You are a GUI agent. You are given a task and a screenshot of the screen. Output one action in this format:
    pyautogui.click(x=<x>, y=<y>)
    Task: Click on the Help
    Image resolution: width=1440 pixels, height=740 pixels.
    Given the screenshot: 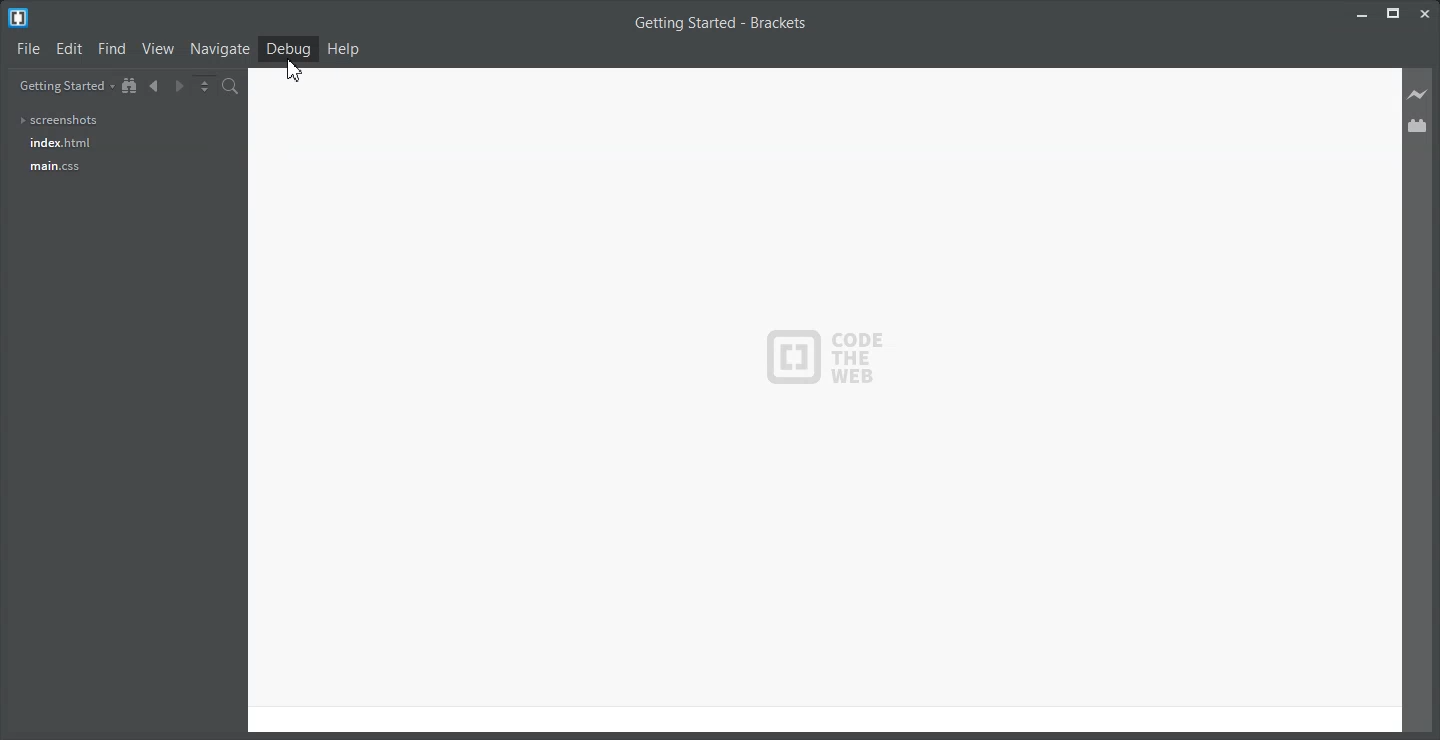 What is the action you would take?
    pyautogui.click(x=345, y=49)
    